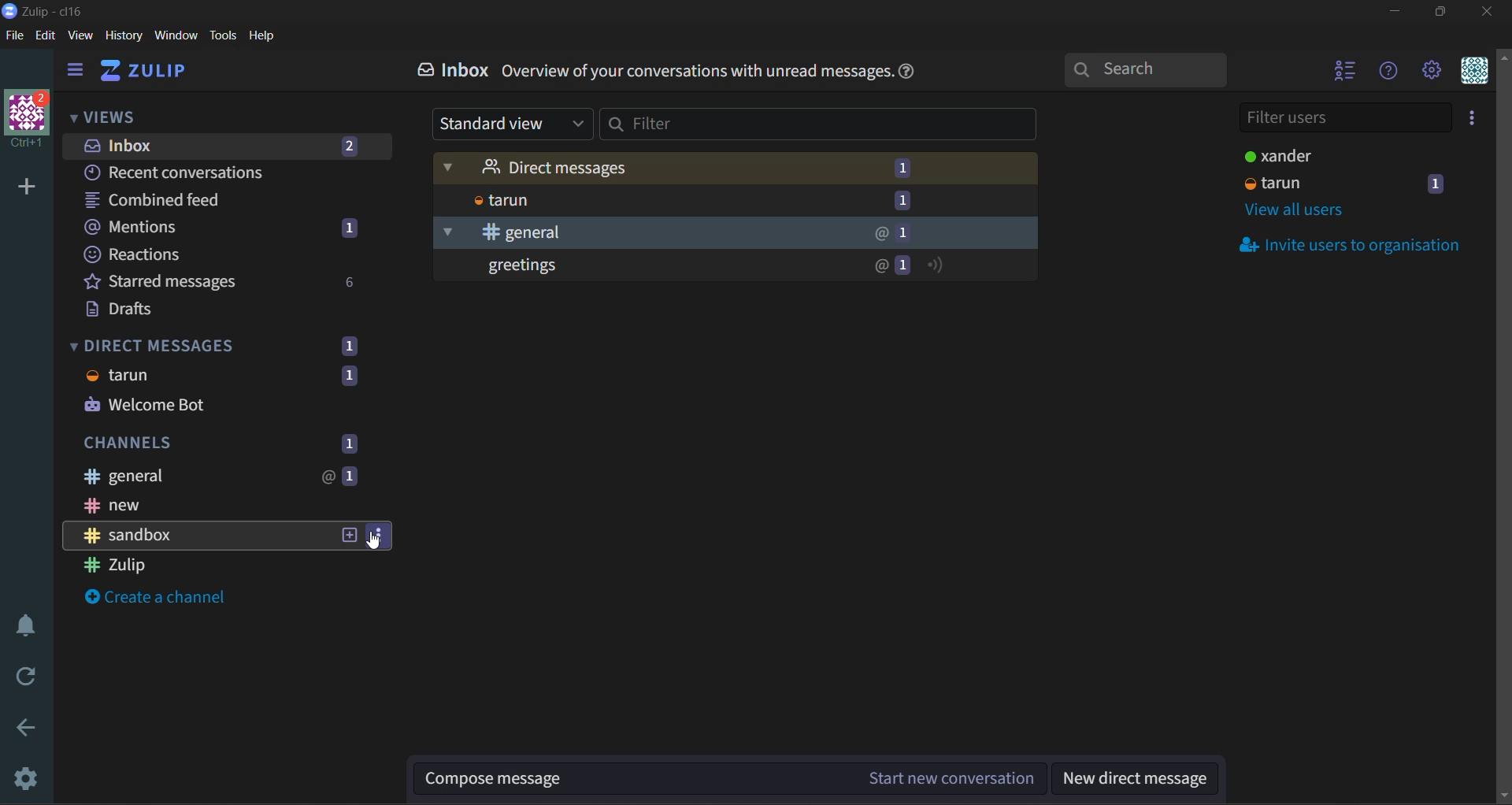 This screenshot has height=805, width=1512. I want to click on Direct Message, so click(734, 167).